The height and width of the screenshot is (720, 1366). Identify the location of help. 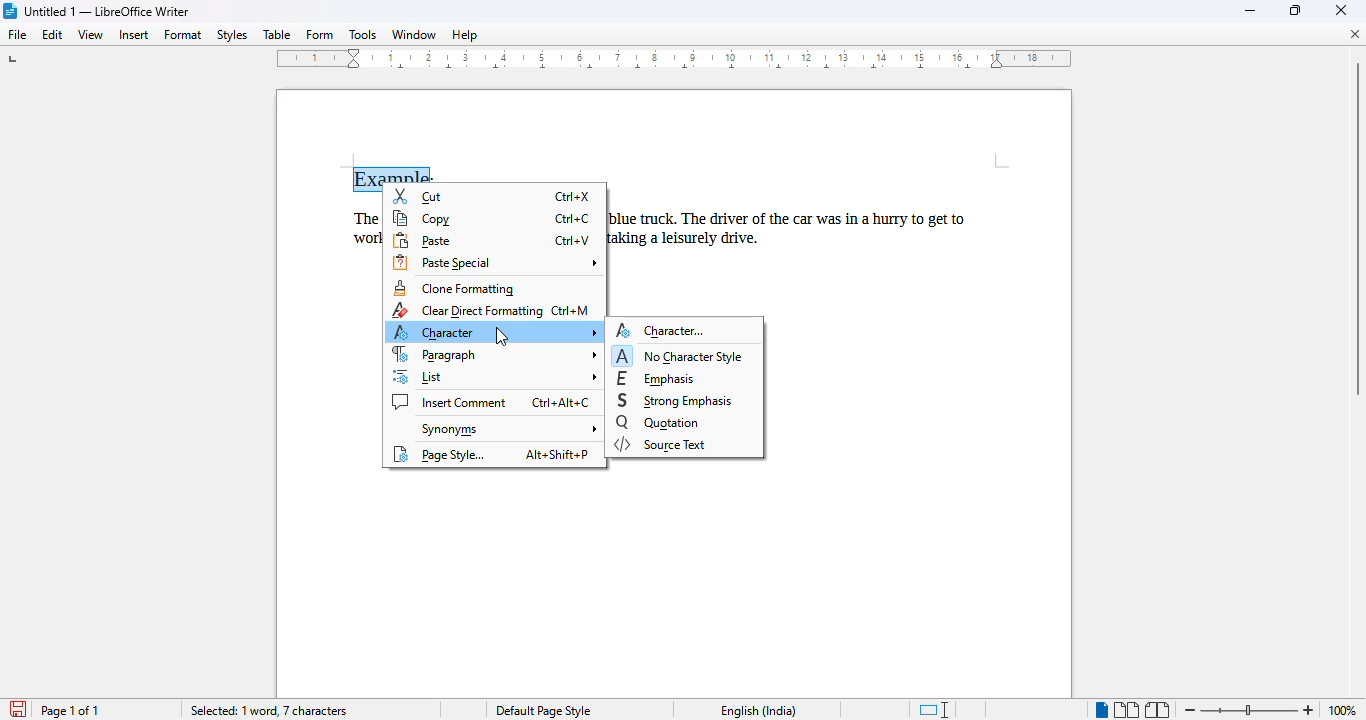
(465, 35).